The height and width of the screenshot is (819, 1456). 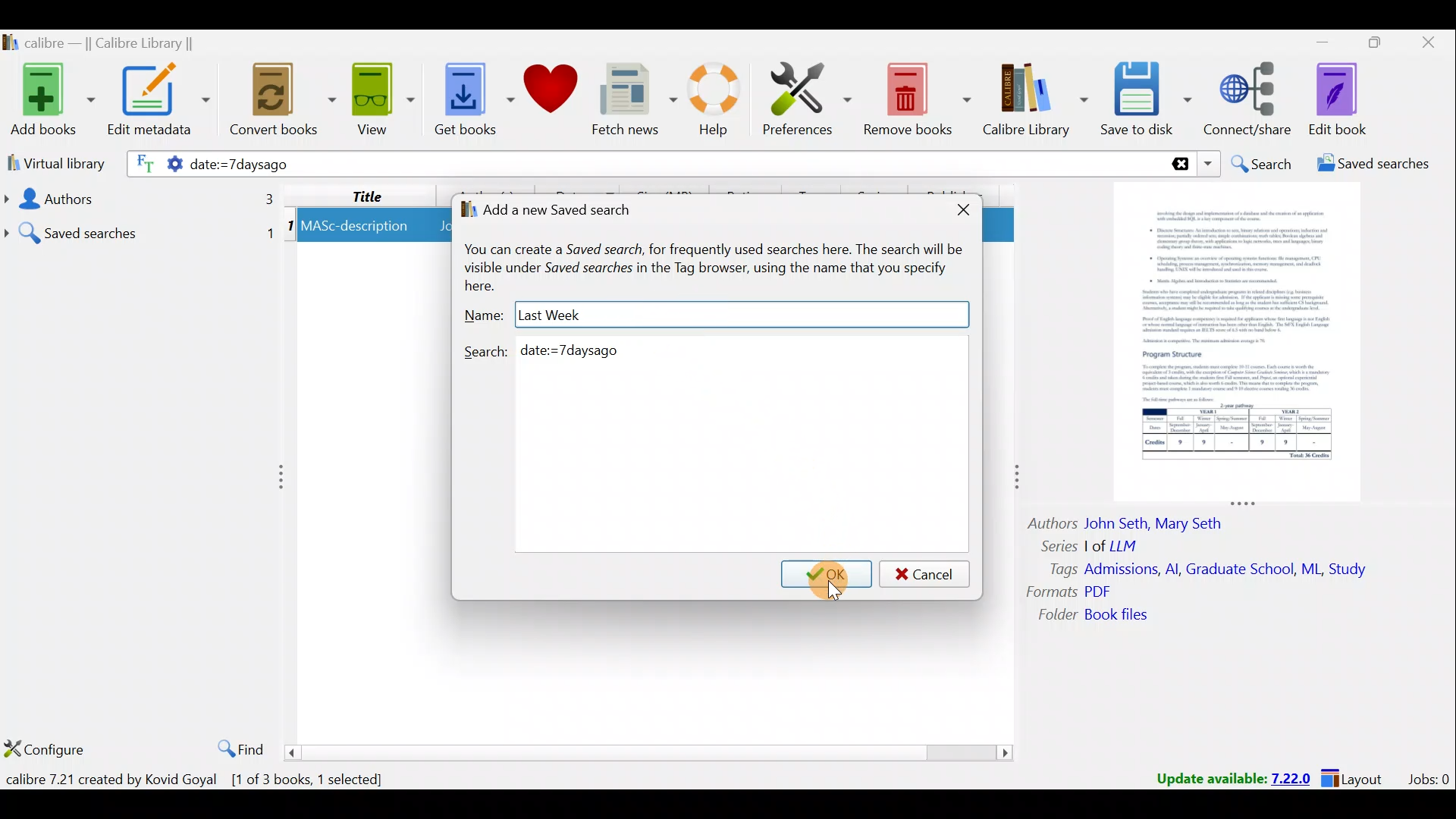 What do you see at coordinates (1369, 164) in the screenshot?
I see `Saved searches` at bounding box center [1369, 164].